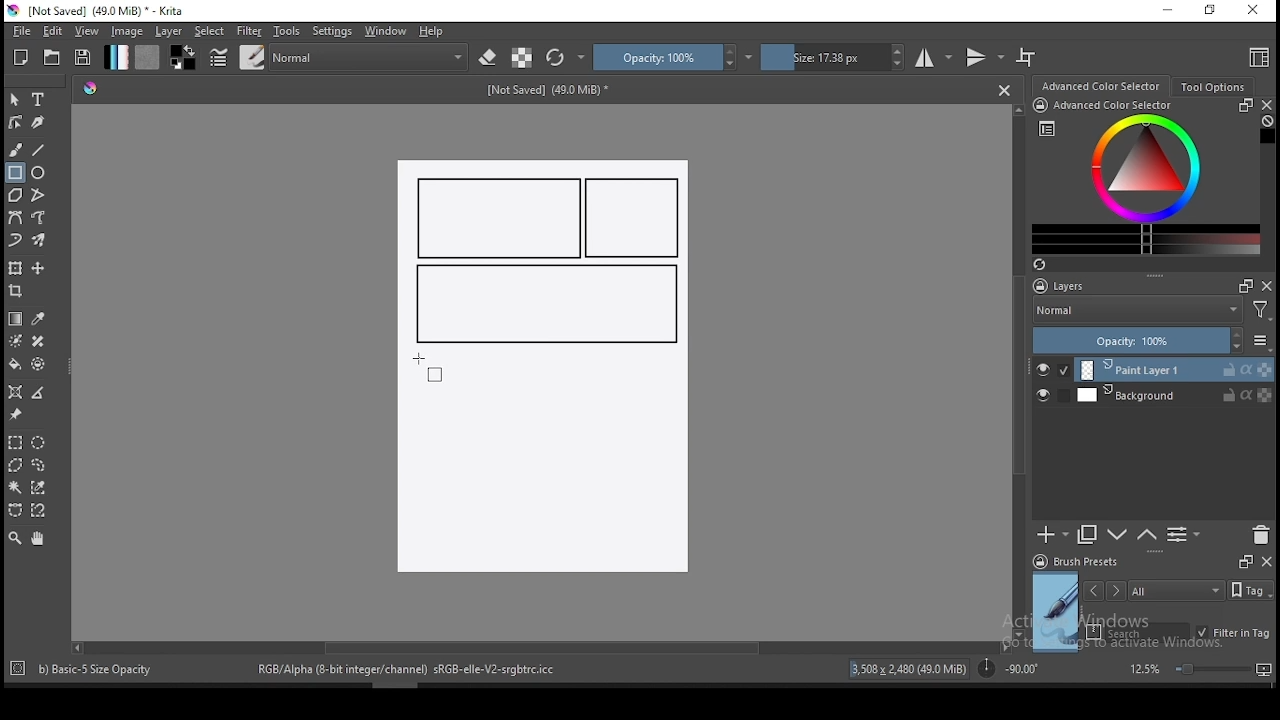  Describe the element at coordinates (1257, 57) in the screenshot. I see `choose workspace` at that location.